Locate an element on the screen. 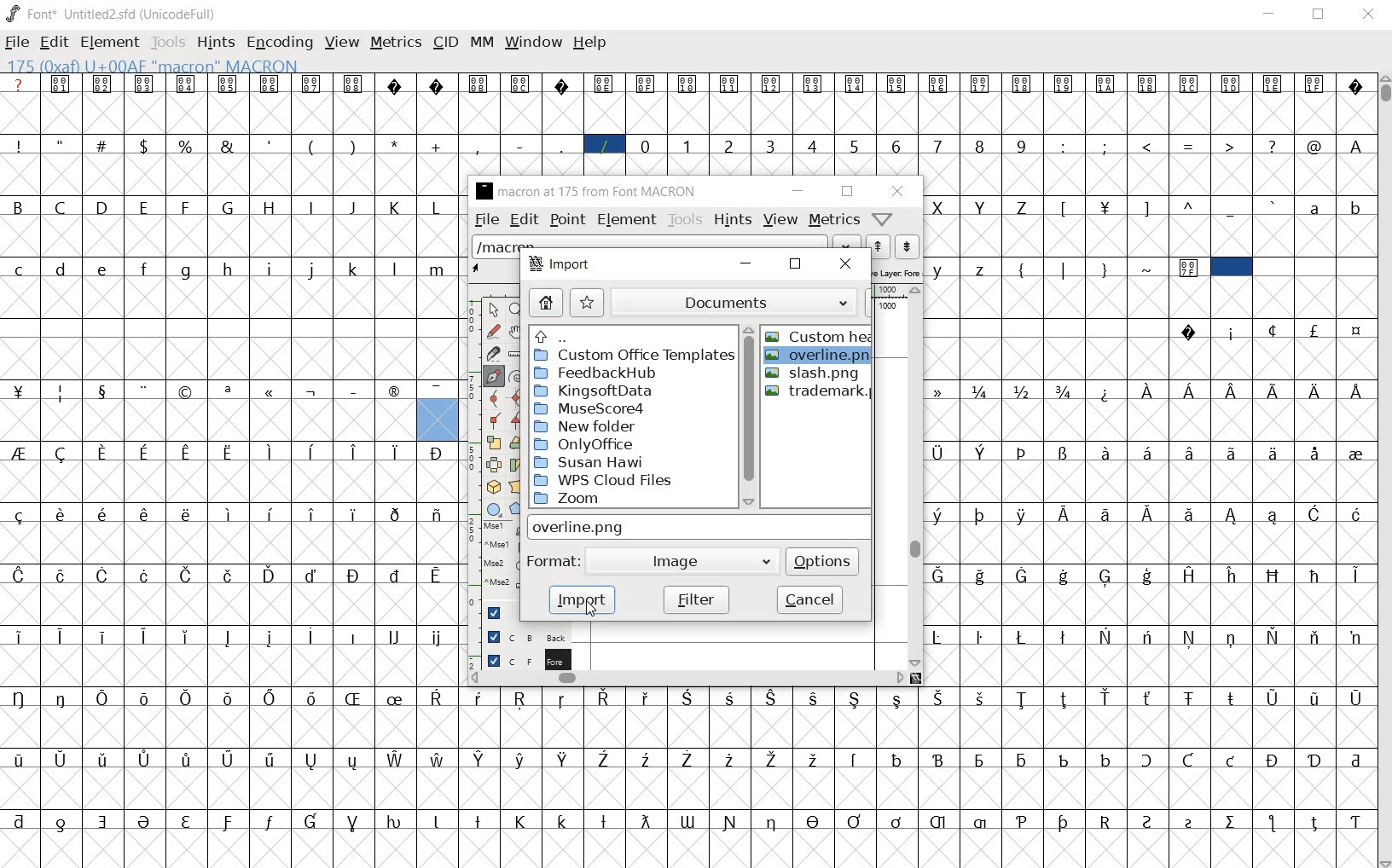 The width and height of the screenshot is (1392, 868). } is located at coordinates (1106, 269).